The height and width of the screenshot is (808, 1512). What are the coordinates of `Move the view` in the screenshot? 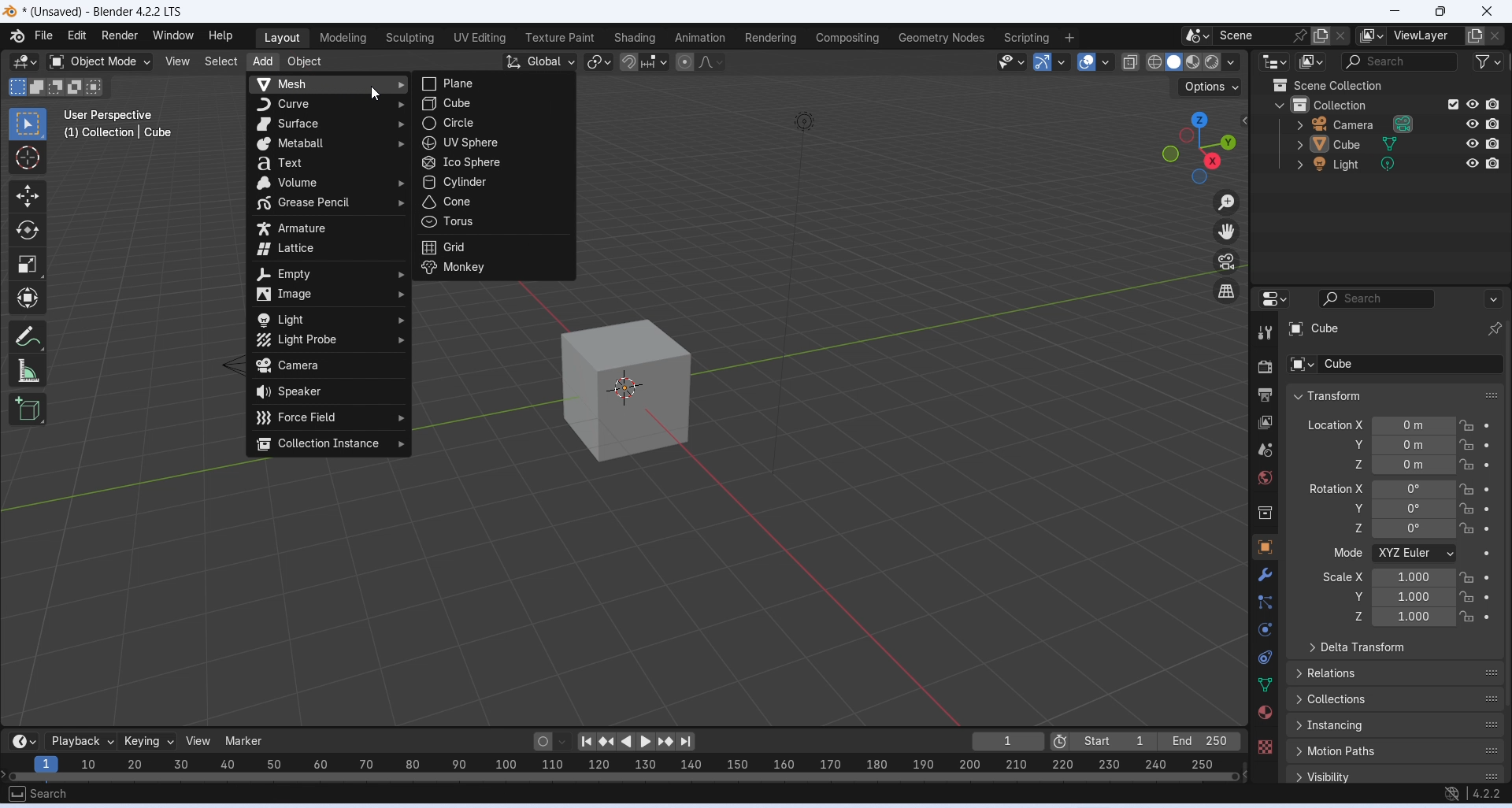 It's located at (1226, 232).